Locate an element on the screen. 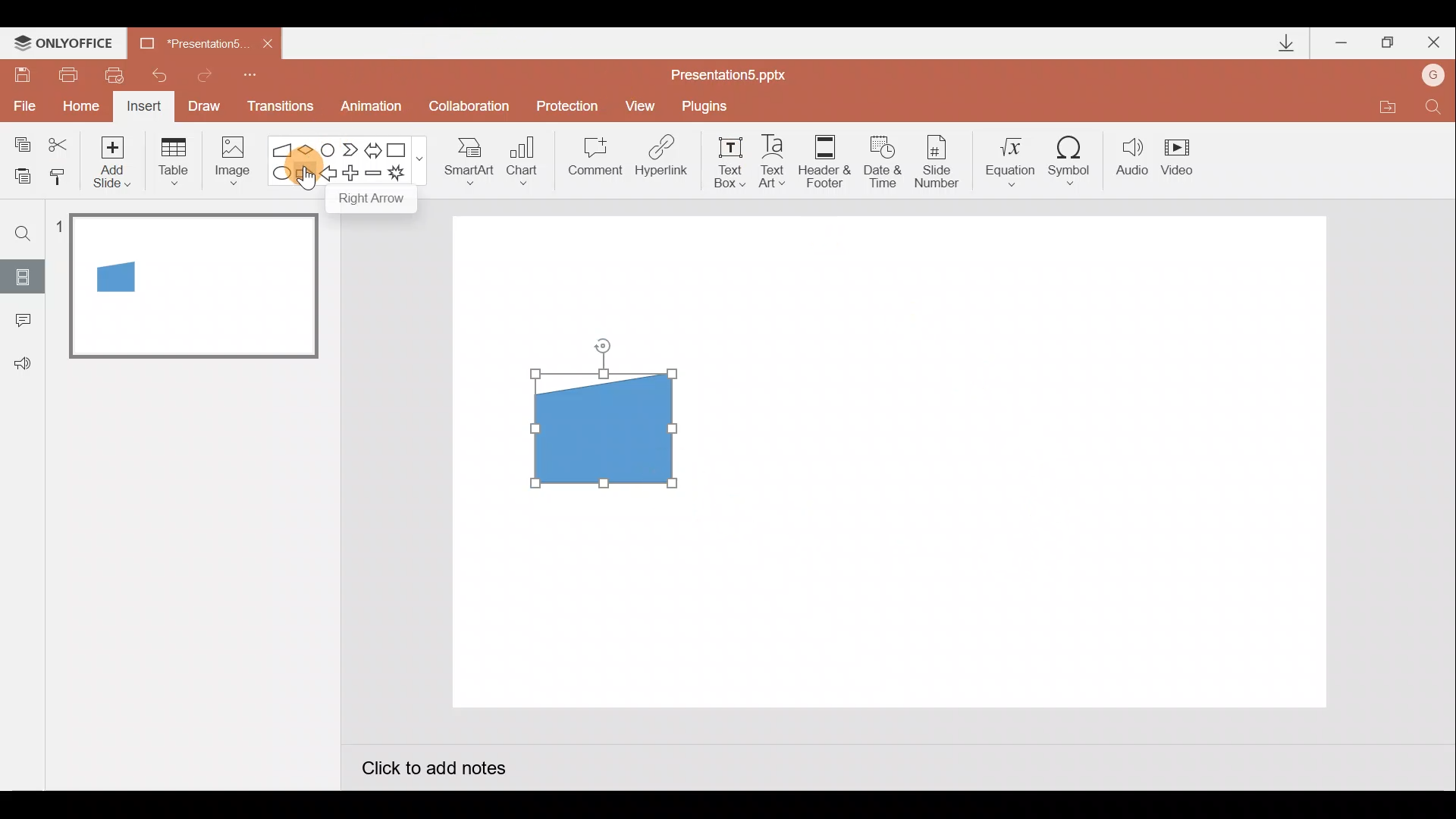 This screenshot has width=1456, height=819. Text Art is located at coordinates (777, 161).